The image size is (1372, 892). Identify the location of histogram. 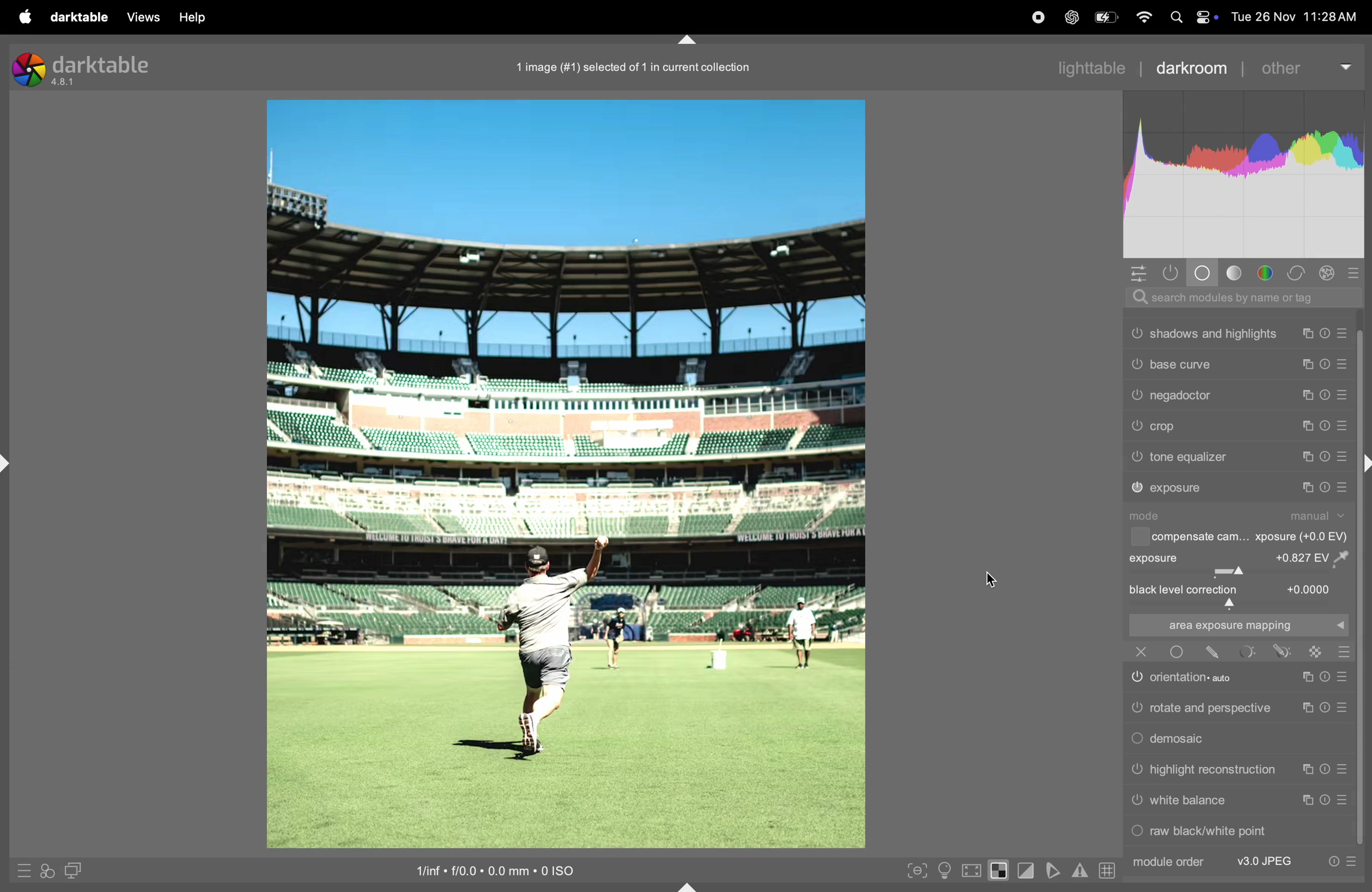
(1245, 174).